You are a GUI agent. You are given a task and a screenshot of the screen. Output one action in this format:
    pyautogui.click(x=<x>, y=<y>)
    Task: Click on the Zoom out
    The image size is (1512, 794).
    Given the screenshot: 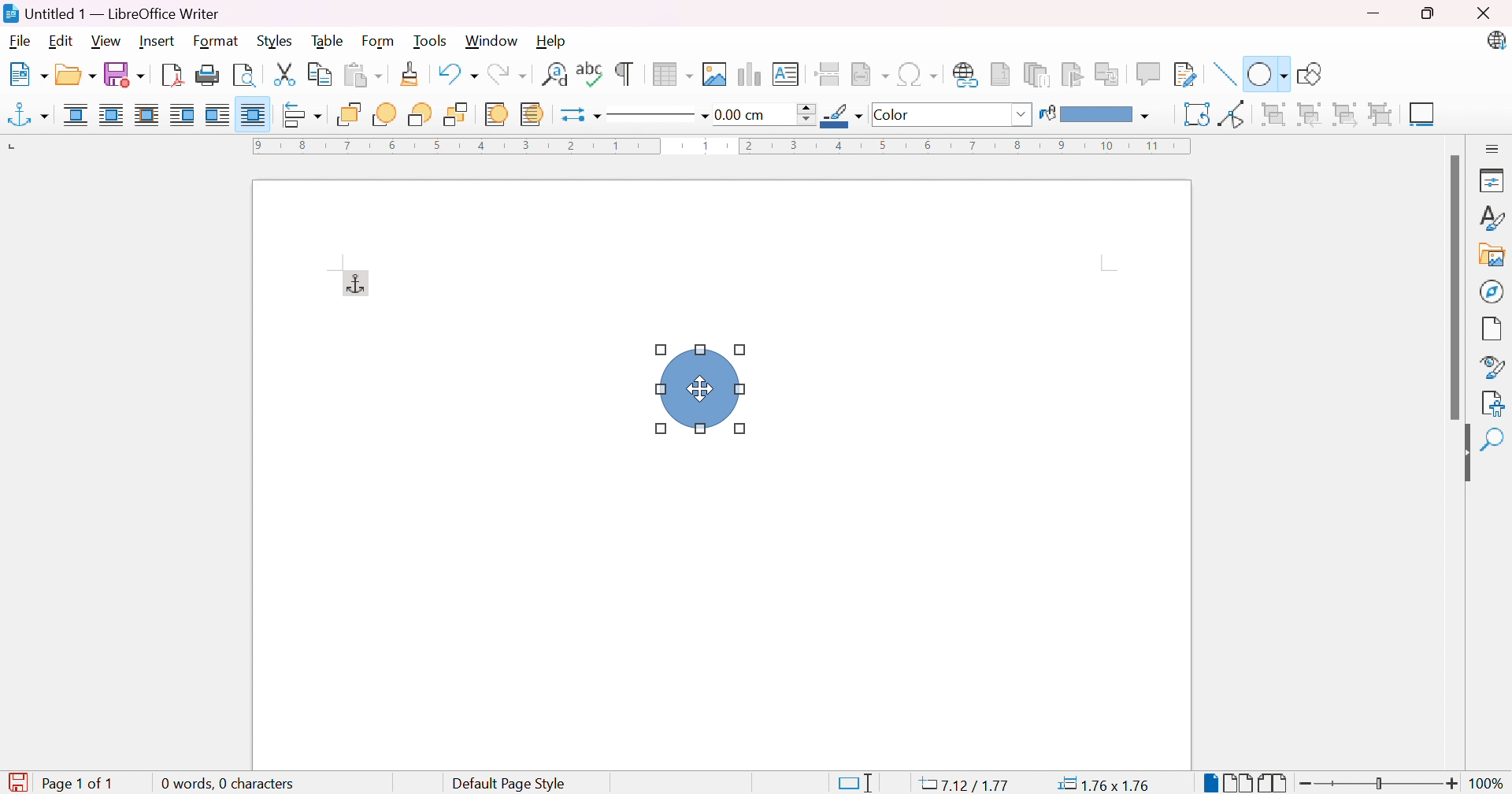 What is the action you would take?
    pyautogui.click(x=1307, y=785)
    